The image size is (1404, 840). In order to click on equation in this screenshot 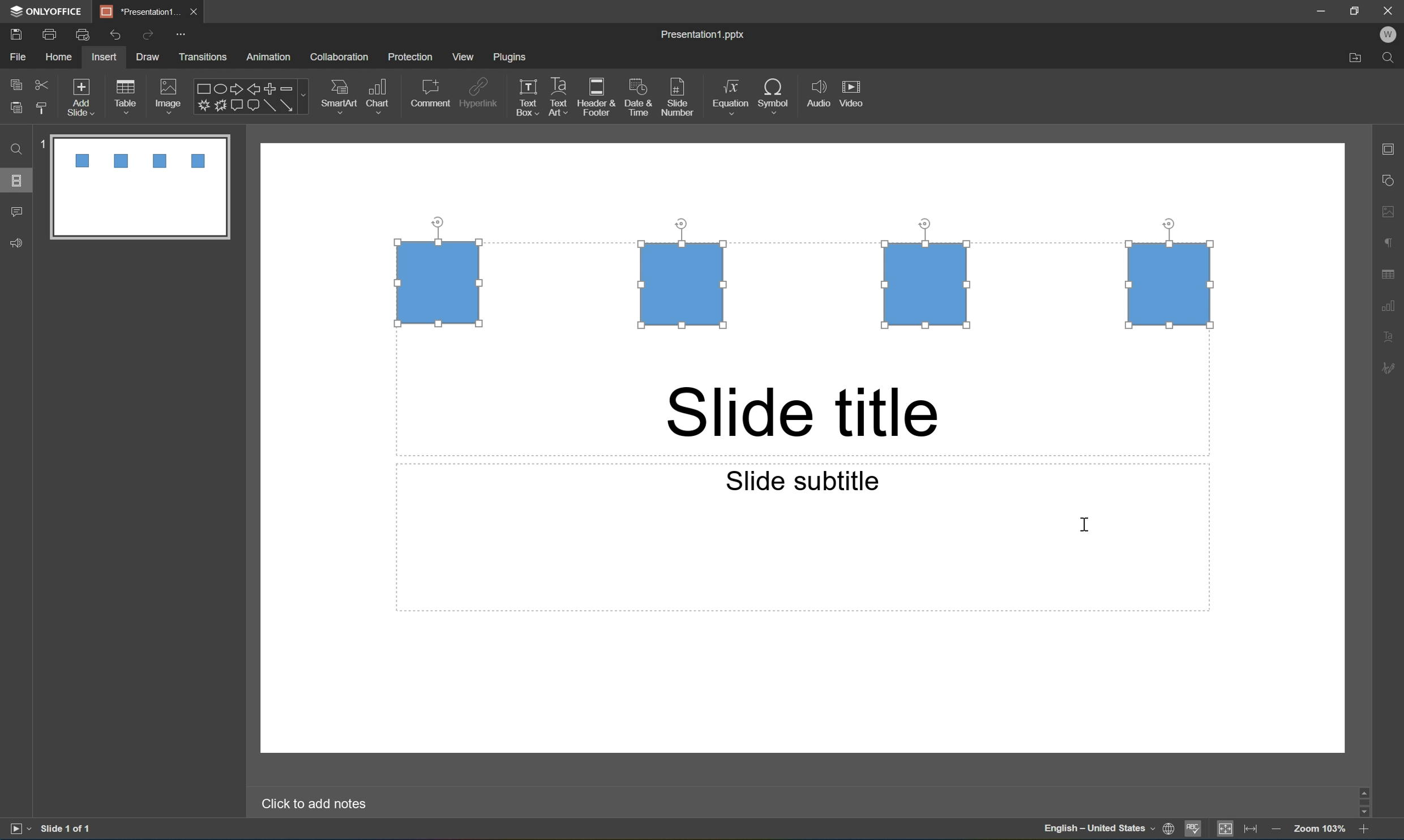, I will do `click(729, 95)`.